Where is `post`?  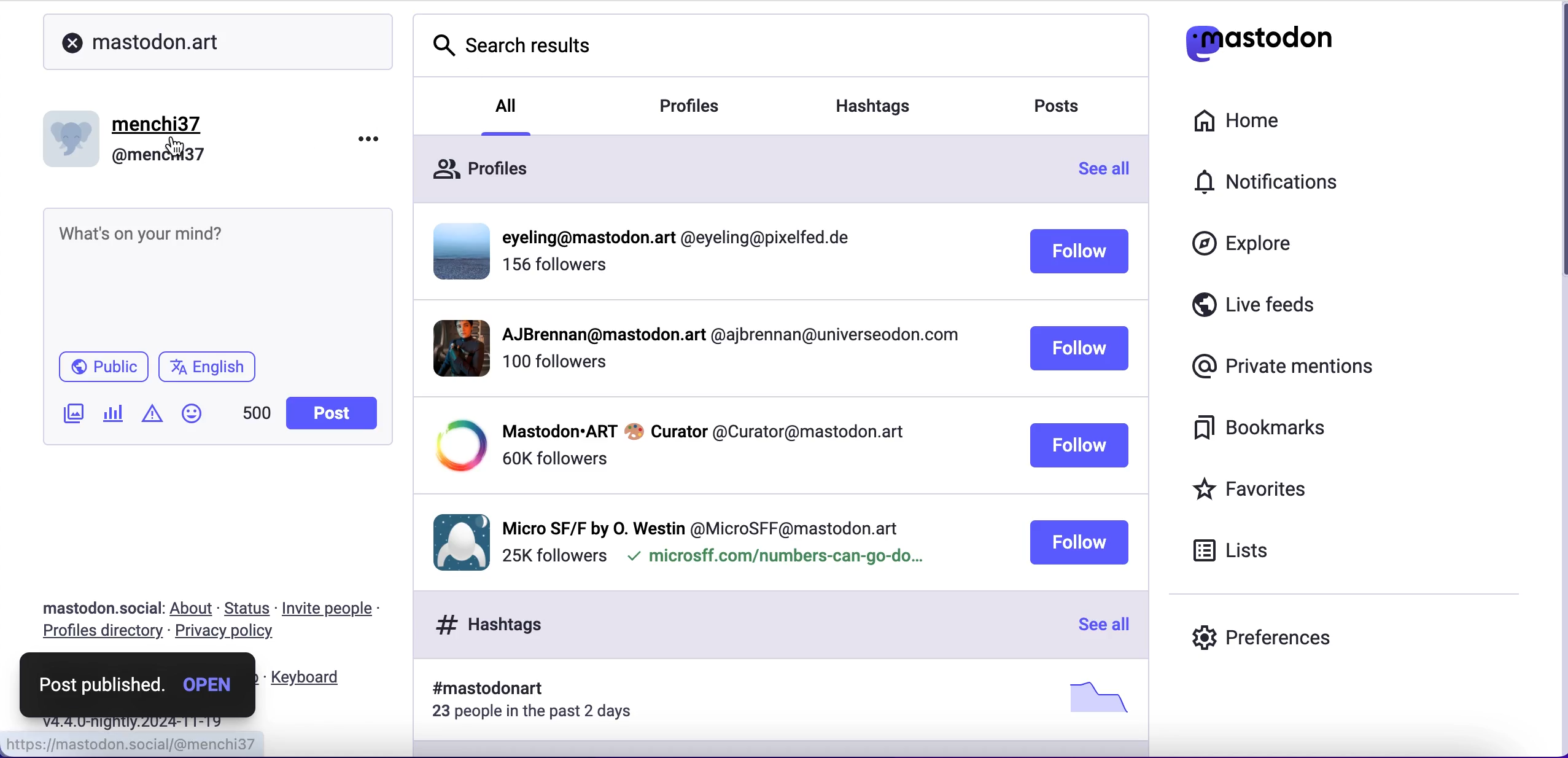 post is located at coordinates (330, 413).